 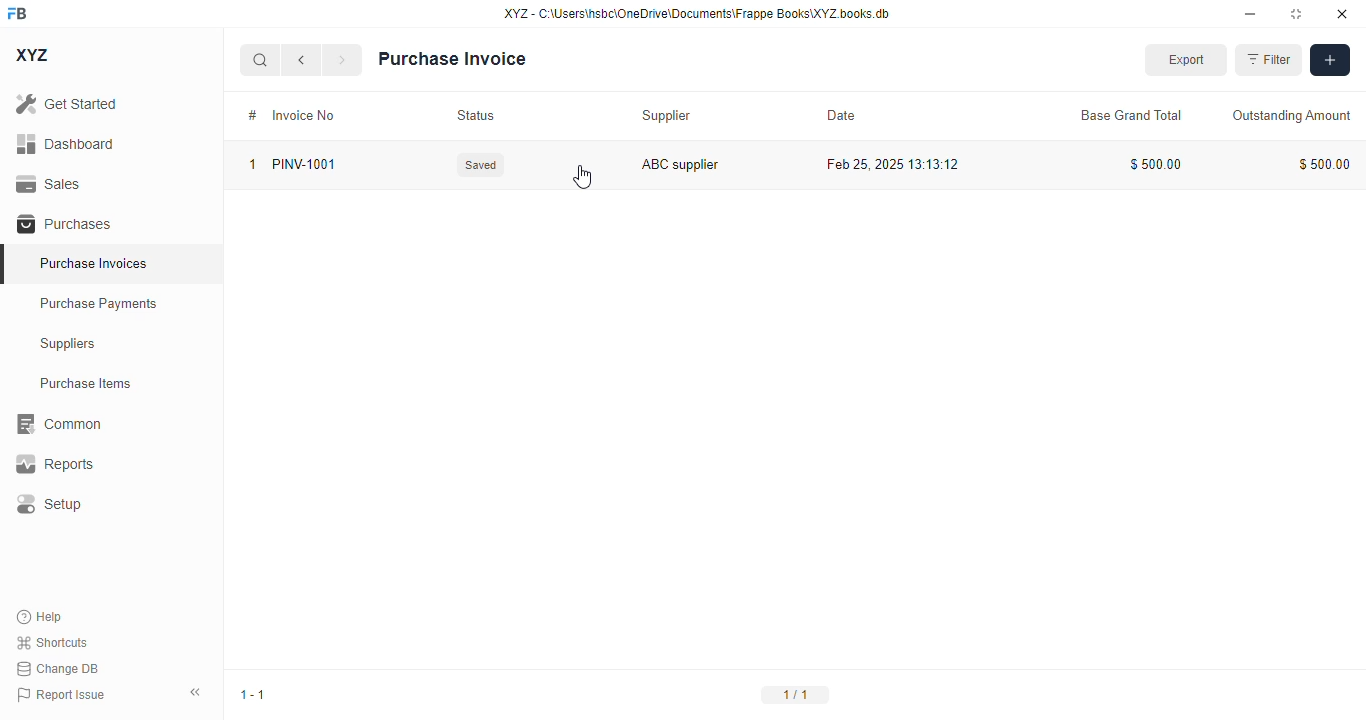 I want to click on change DB, so click(x=57, y=669).